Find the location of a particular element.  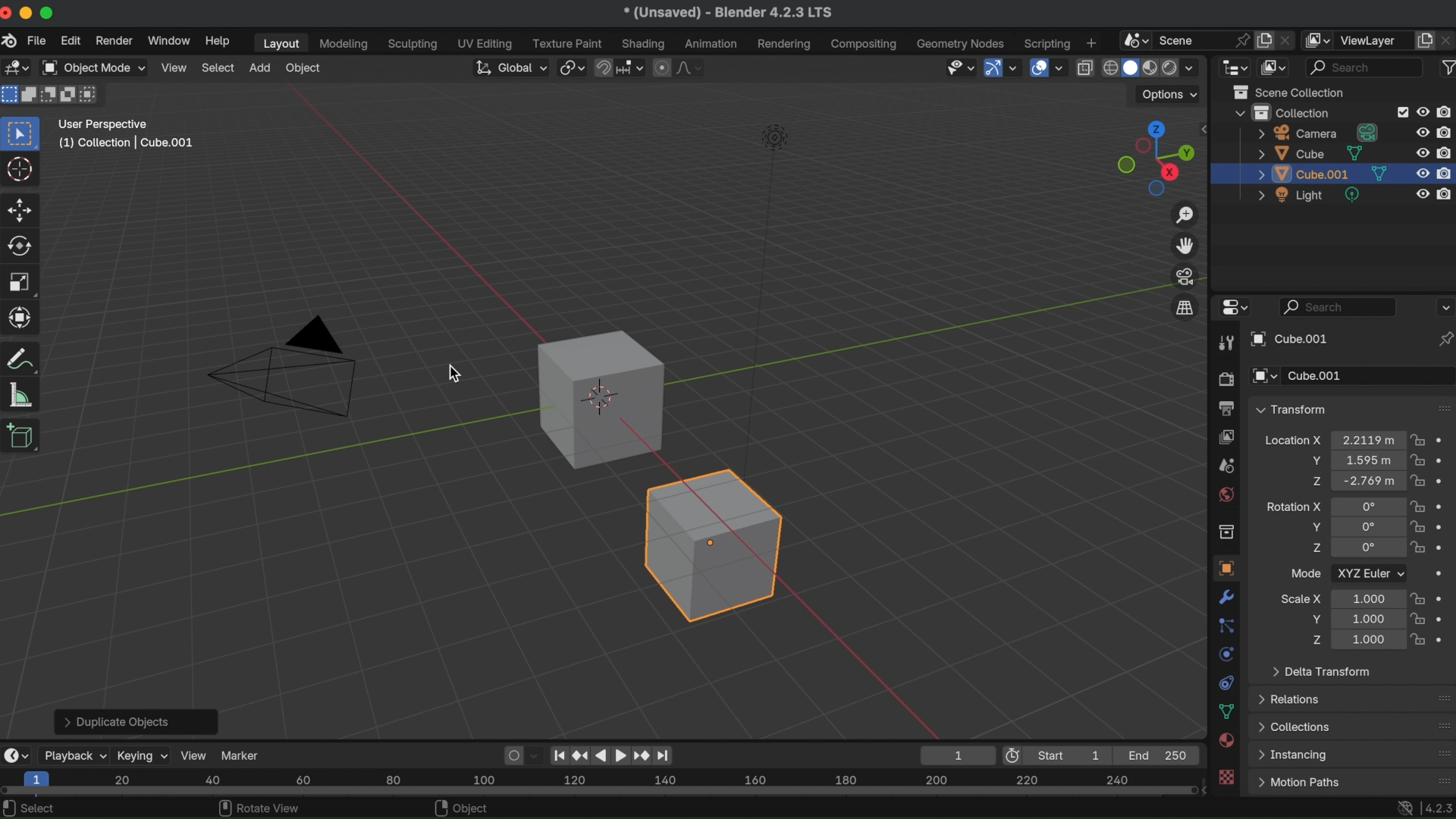

snapping is located at coordinates (632, 67).